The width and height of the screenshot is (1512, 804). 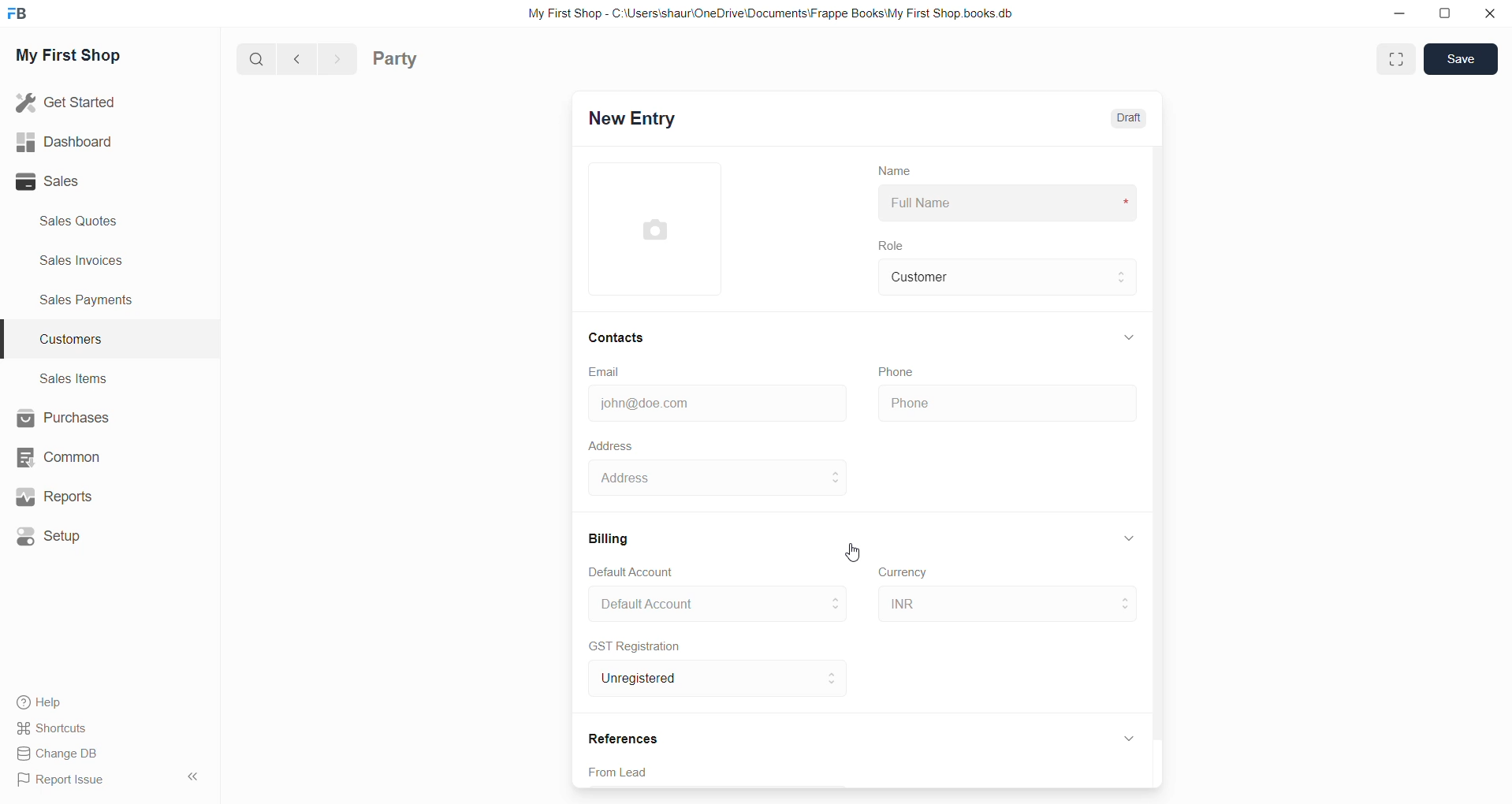 I want to click on Reports, so click(x=54, y=497).